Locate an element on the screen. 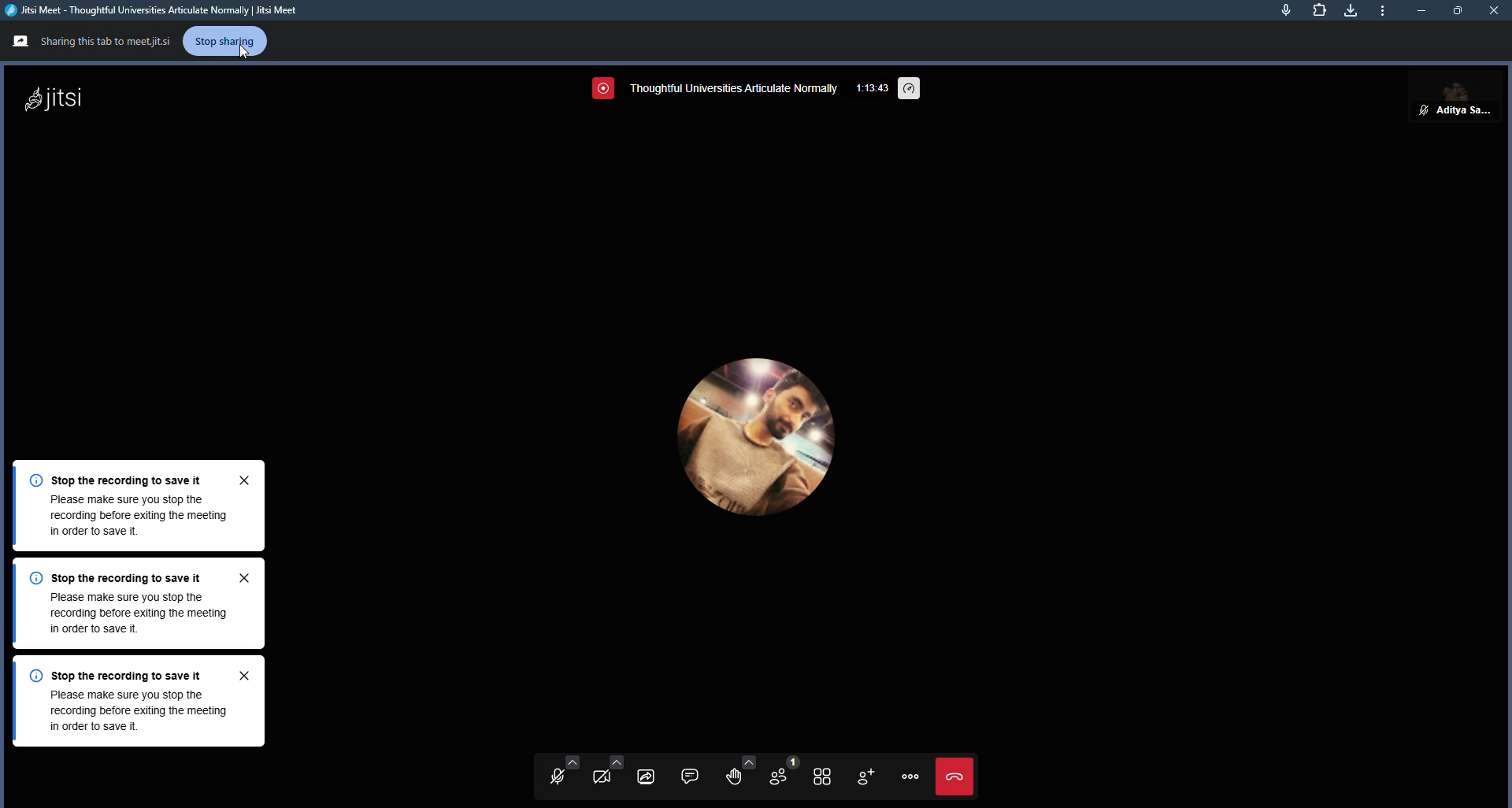 The height and width of the screenshot is (808, 1512). more actions is located at coordinates (909, 773).